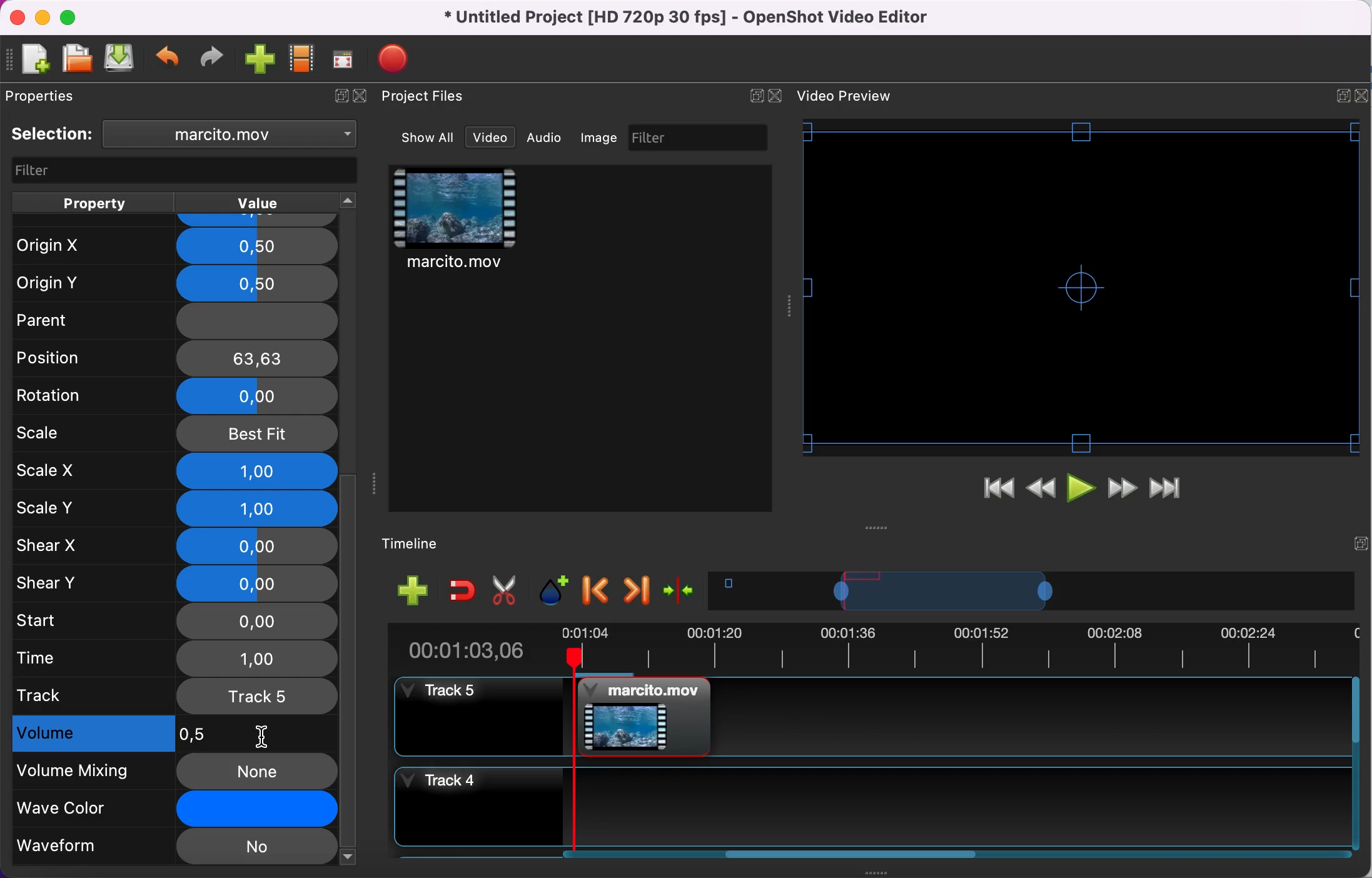  What do you see at coordinates (638, 590) in the screenshot?
I see `next marker` at bounding box center [638, 590].